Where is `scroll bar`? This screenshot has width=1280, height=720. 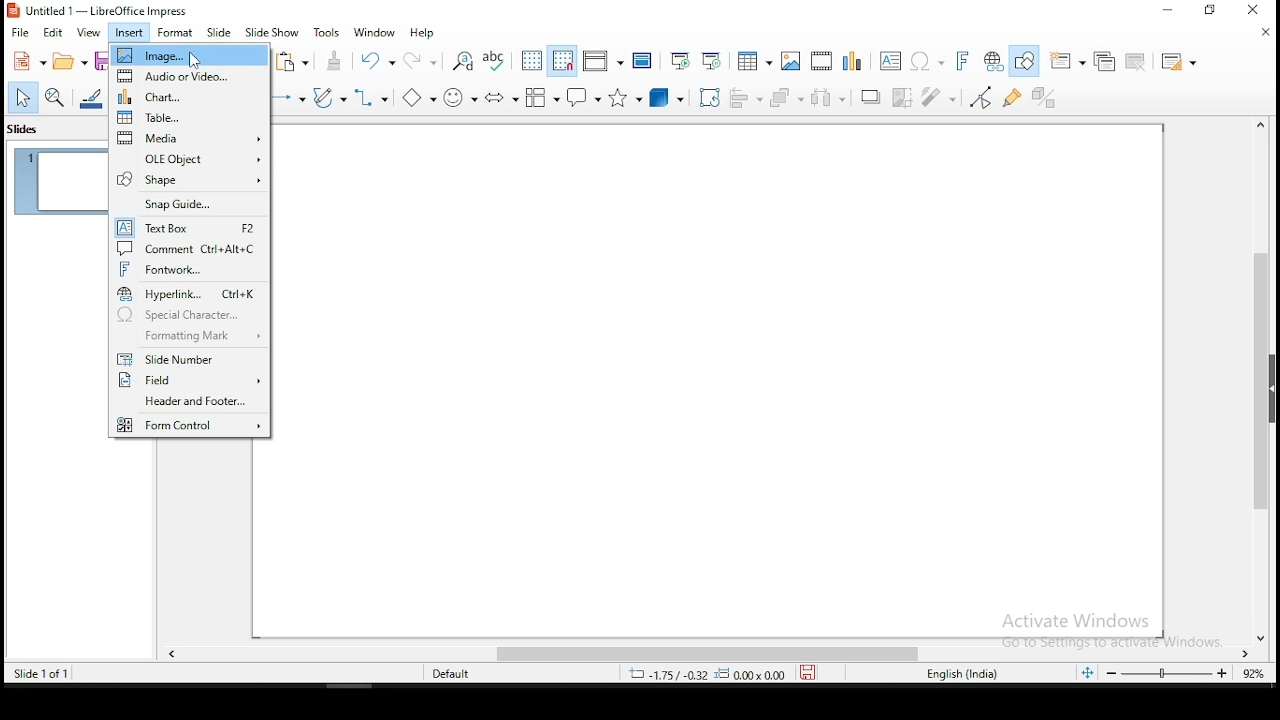
scroll bar is located at coordinates (711, 654).